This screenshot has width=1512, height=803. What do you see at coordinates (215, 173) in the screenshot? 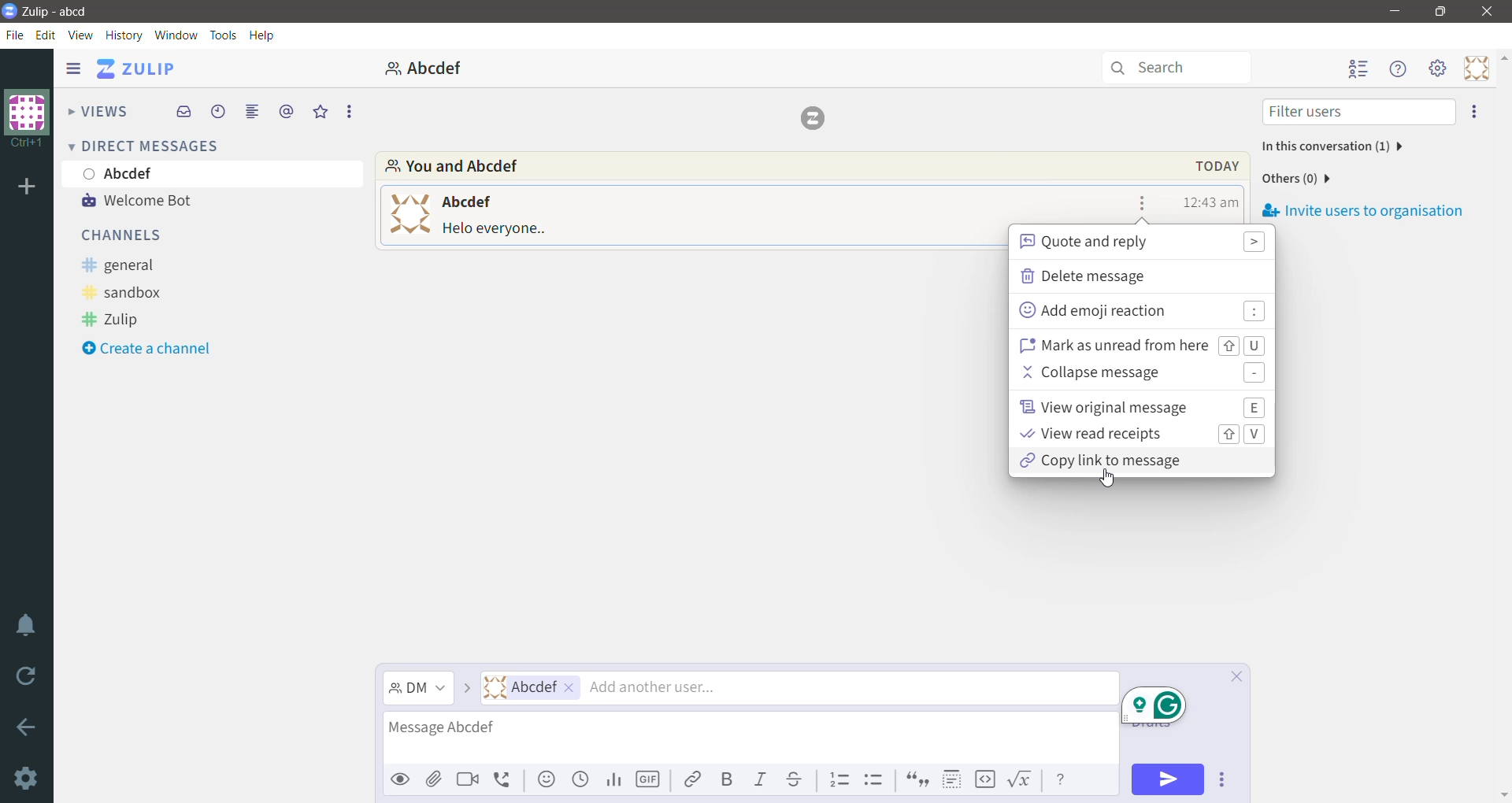
I see `User` at bounding box center [215, 173].